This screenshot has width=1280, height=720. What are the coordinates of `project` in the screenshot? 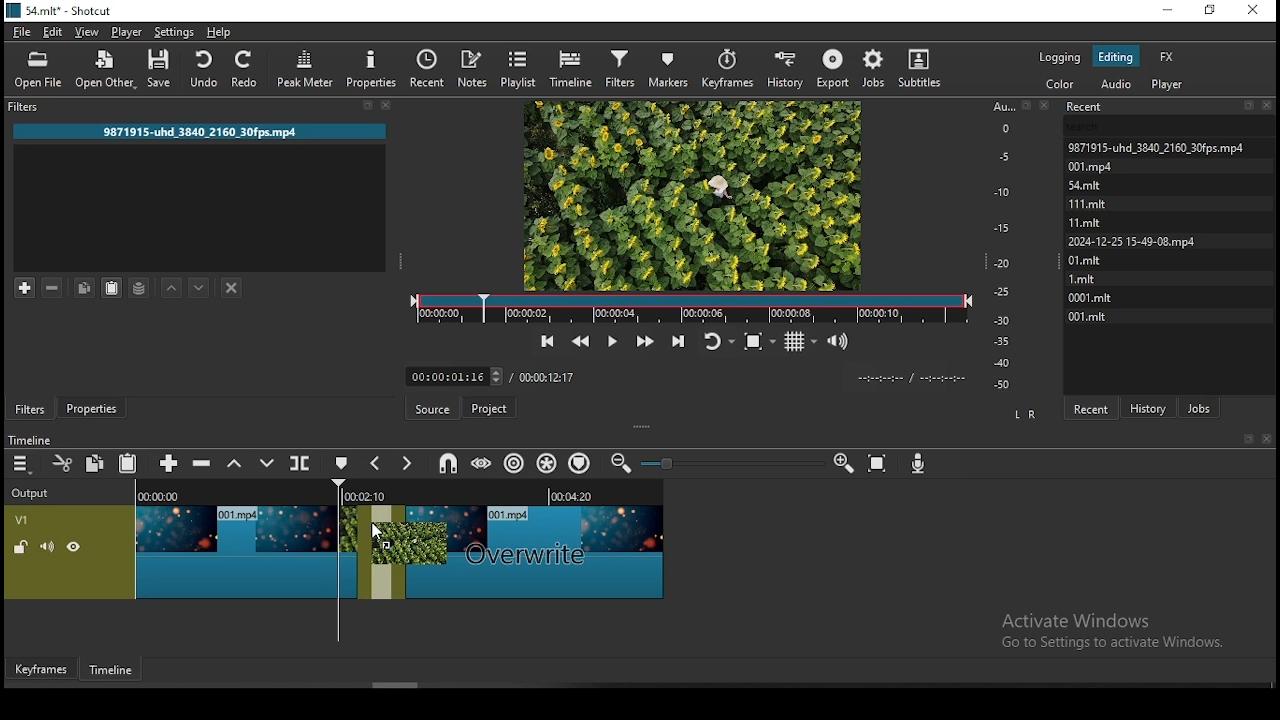 It's located at (488, 410).